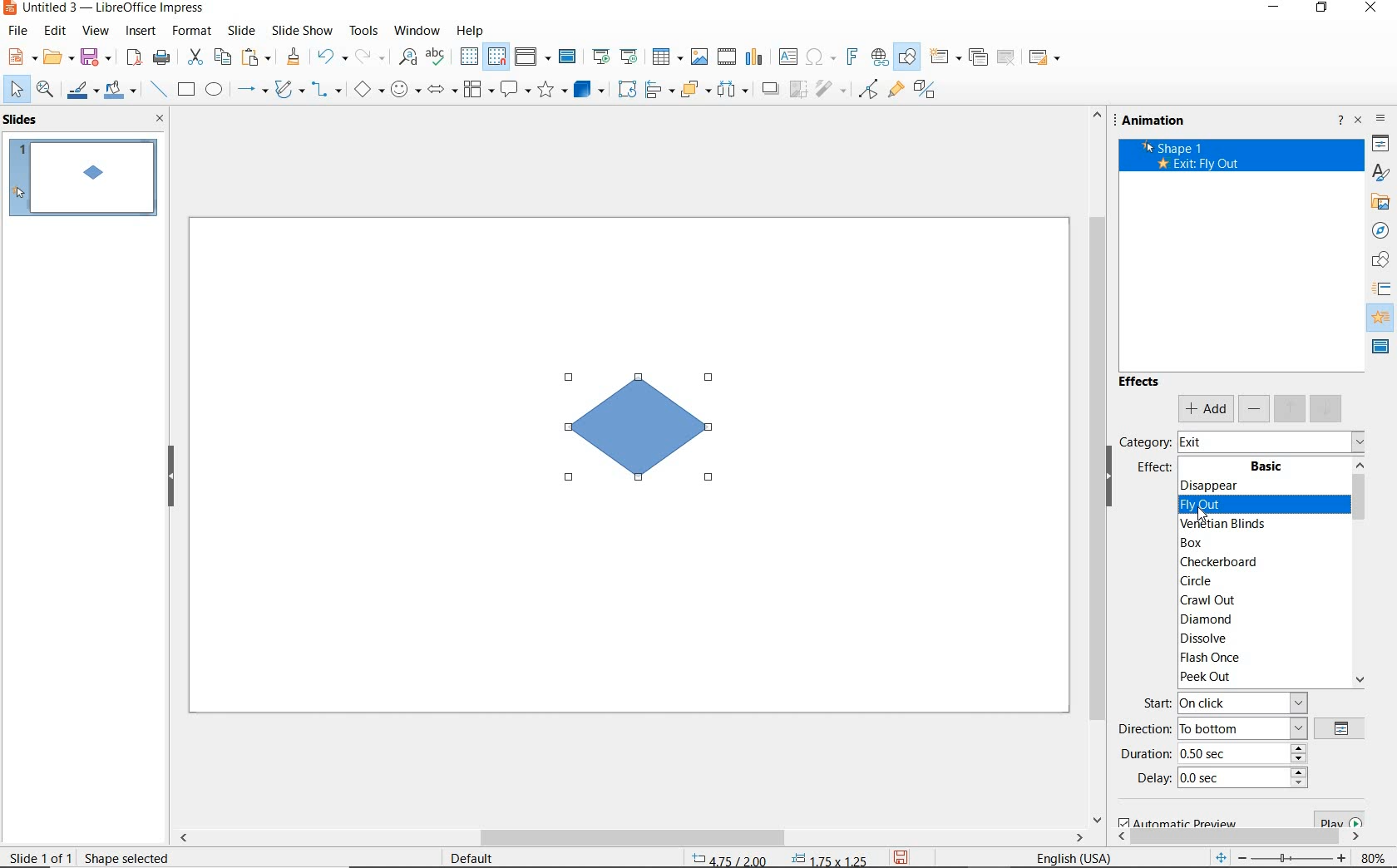 This screenshot has height=868, width=1397. I want to click on add, so click(1206, 409).